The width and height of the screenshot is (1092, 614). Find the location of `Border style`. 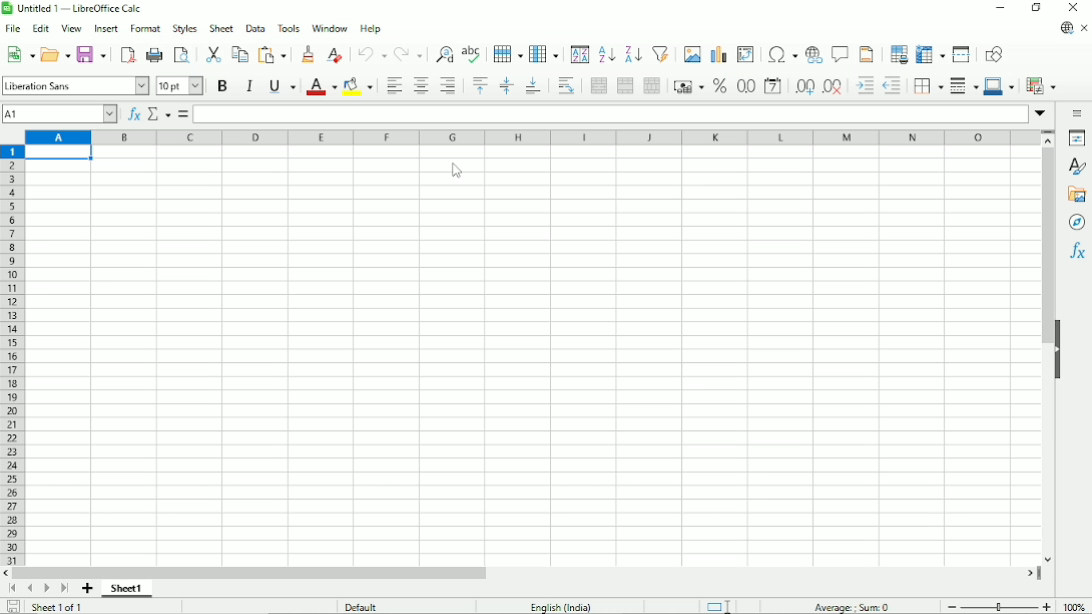

Border style is located at coordinates (964, 87).